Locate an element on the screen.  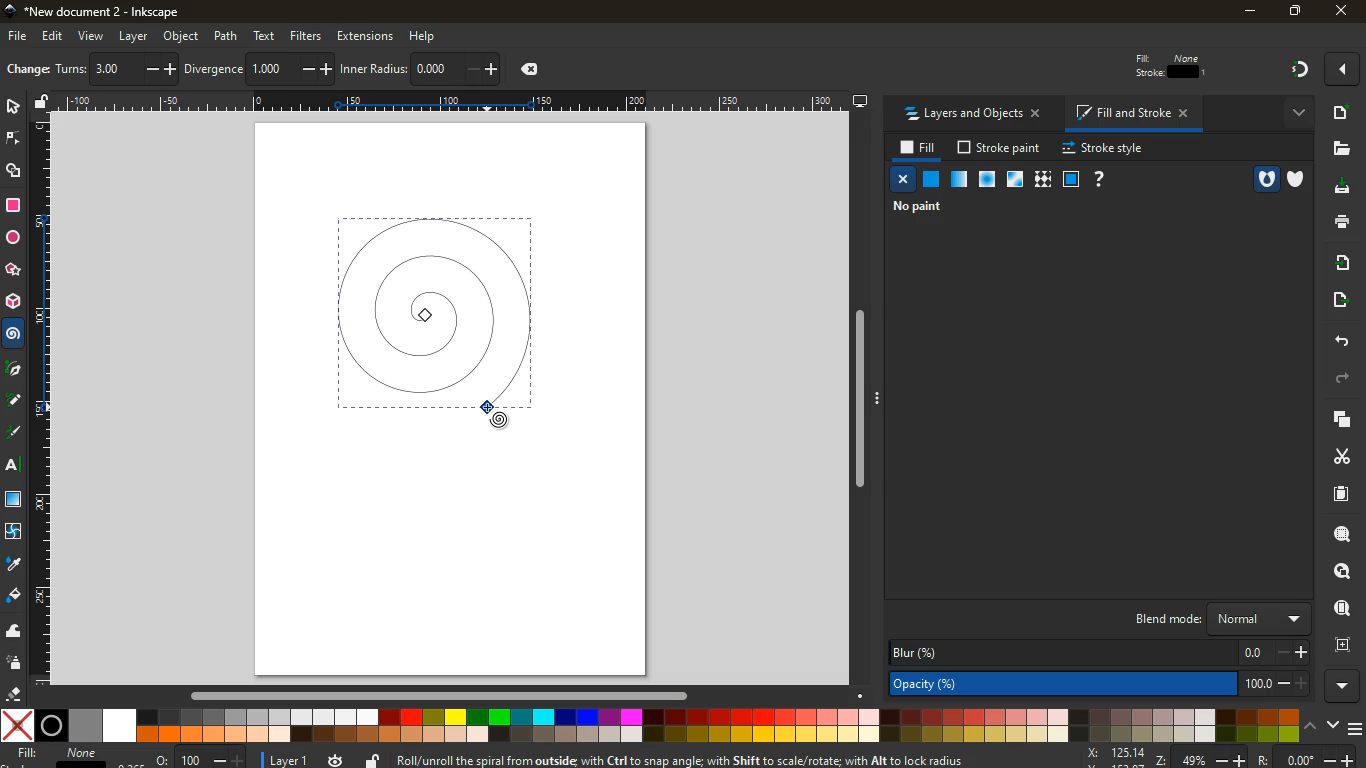
fill is located at coordinates (1173, 66).